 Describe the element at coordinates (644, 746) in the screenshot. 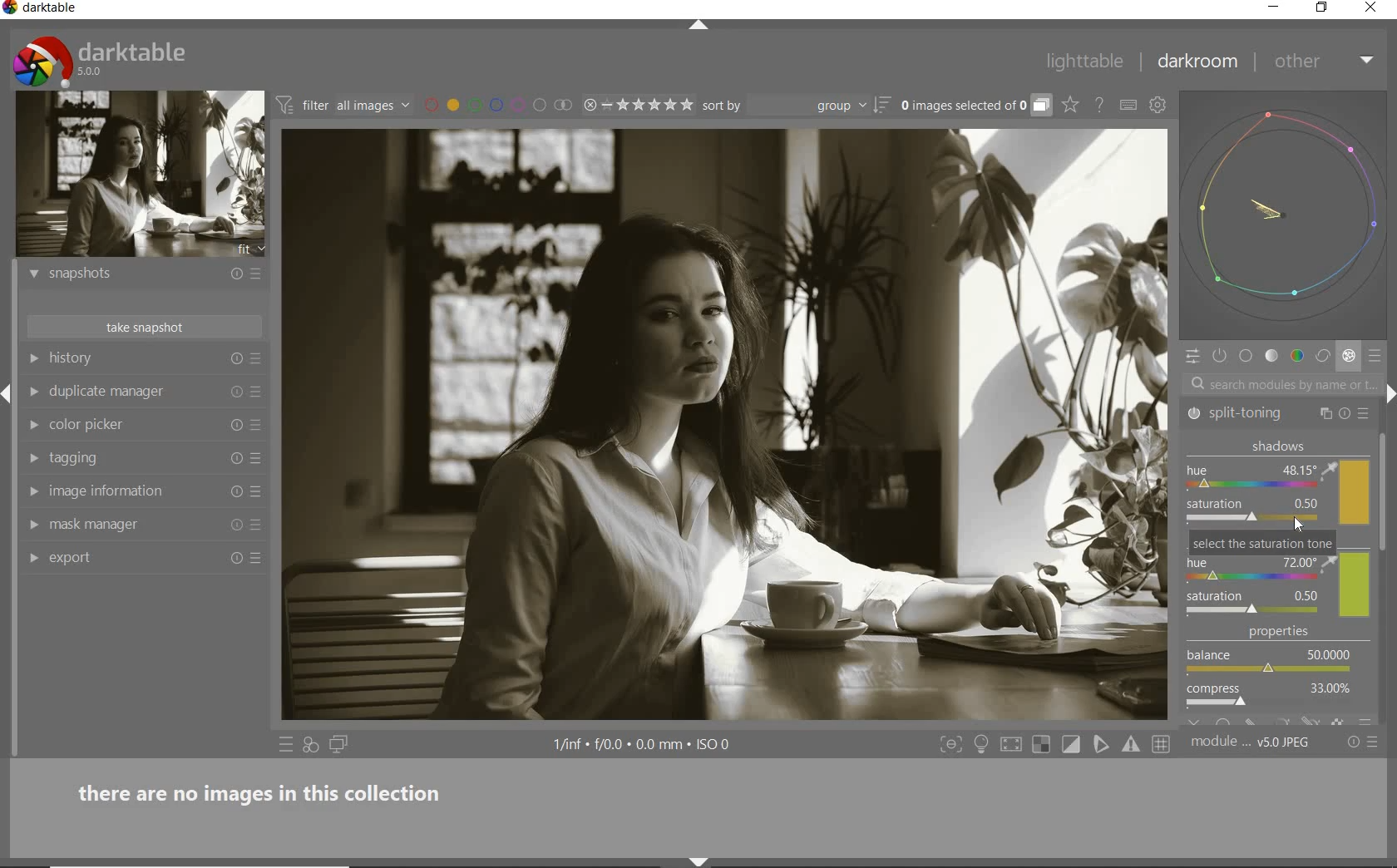

I see `display information` at that location.